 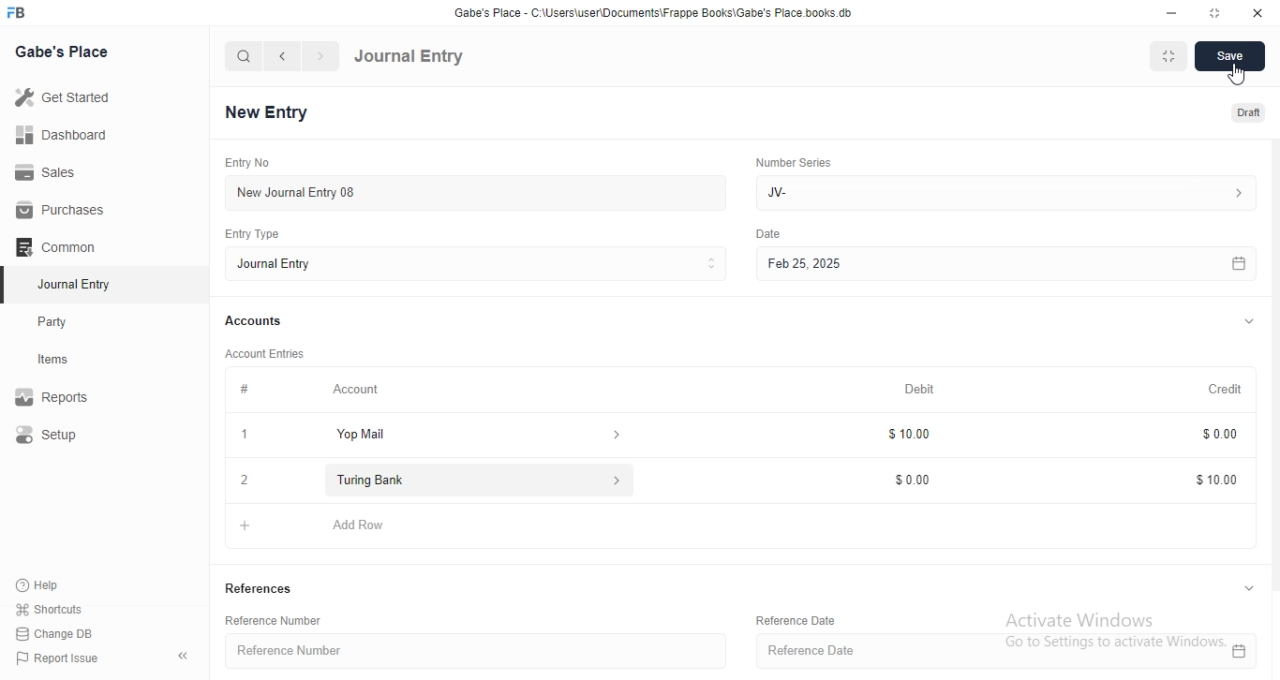 What do you see at coordinates (67, 658) in the screenshot?
I see `Report Issue` at bounding box center [67, 658].